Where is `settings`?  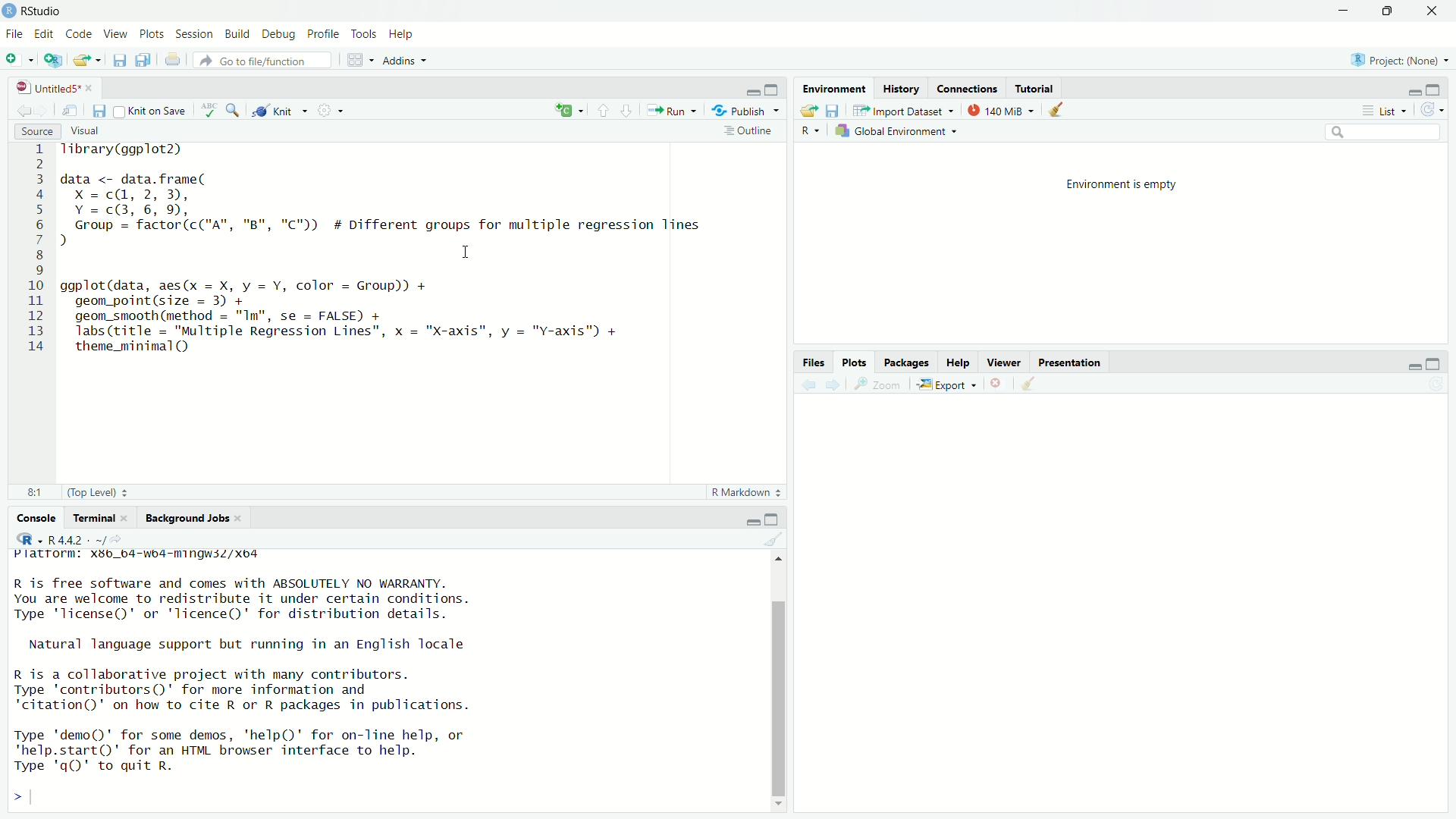 settings is located at coordinates (335, 112).